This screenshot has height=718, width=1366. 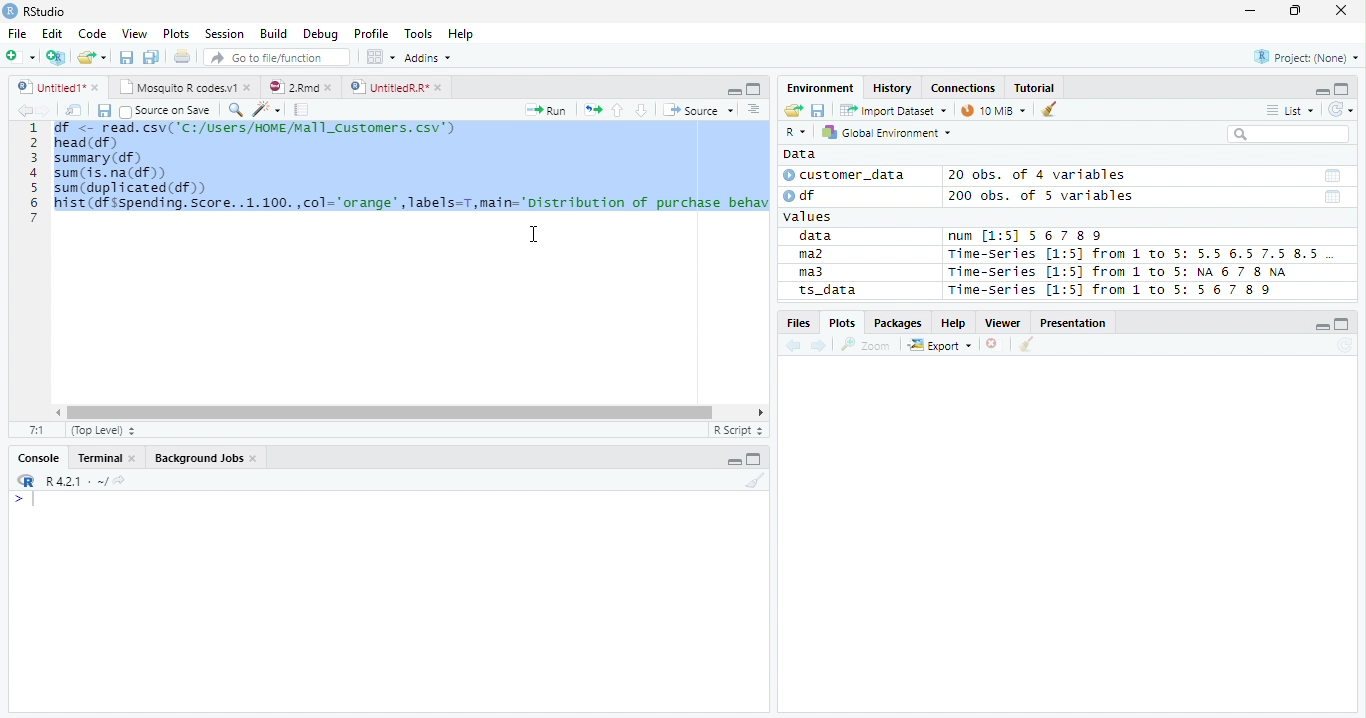 What do you see at coordinates (35, 12) in the screenshot?
I see `RStudio` at bounding box center [35, 12].